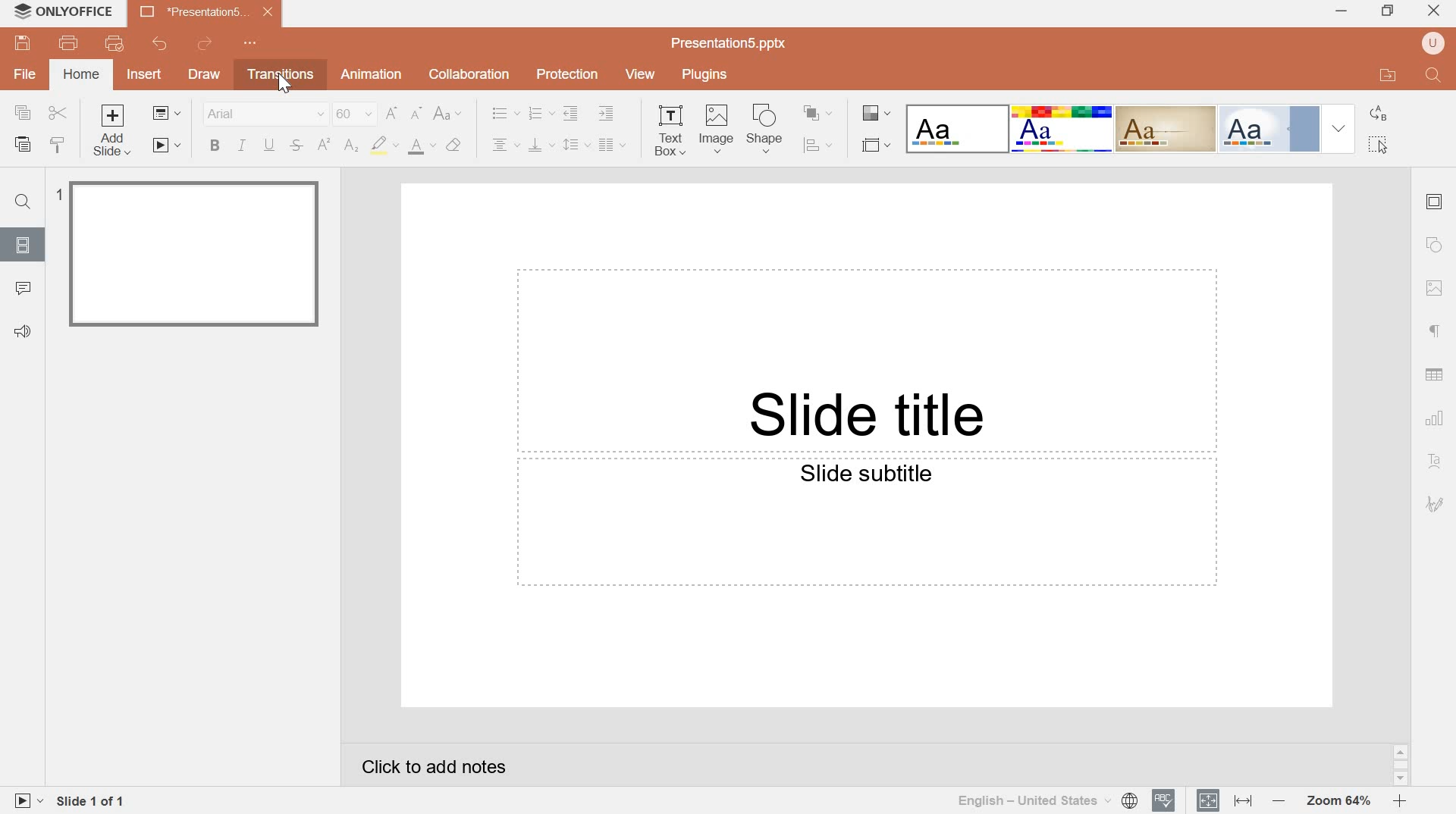 This screenshot has width=1456, height=814. What do you see at coordinates (1433, 244) in the screenshot?
I see `shape settings` at bounding box center [1433, 244].